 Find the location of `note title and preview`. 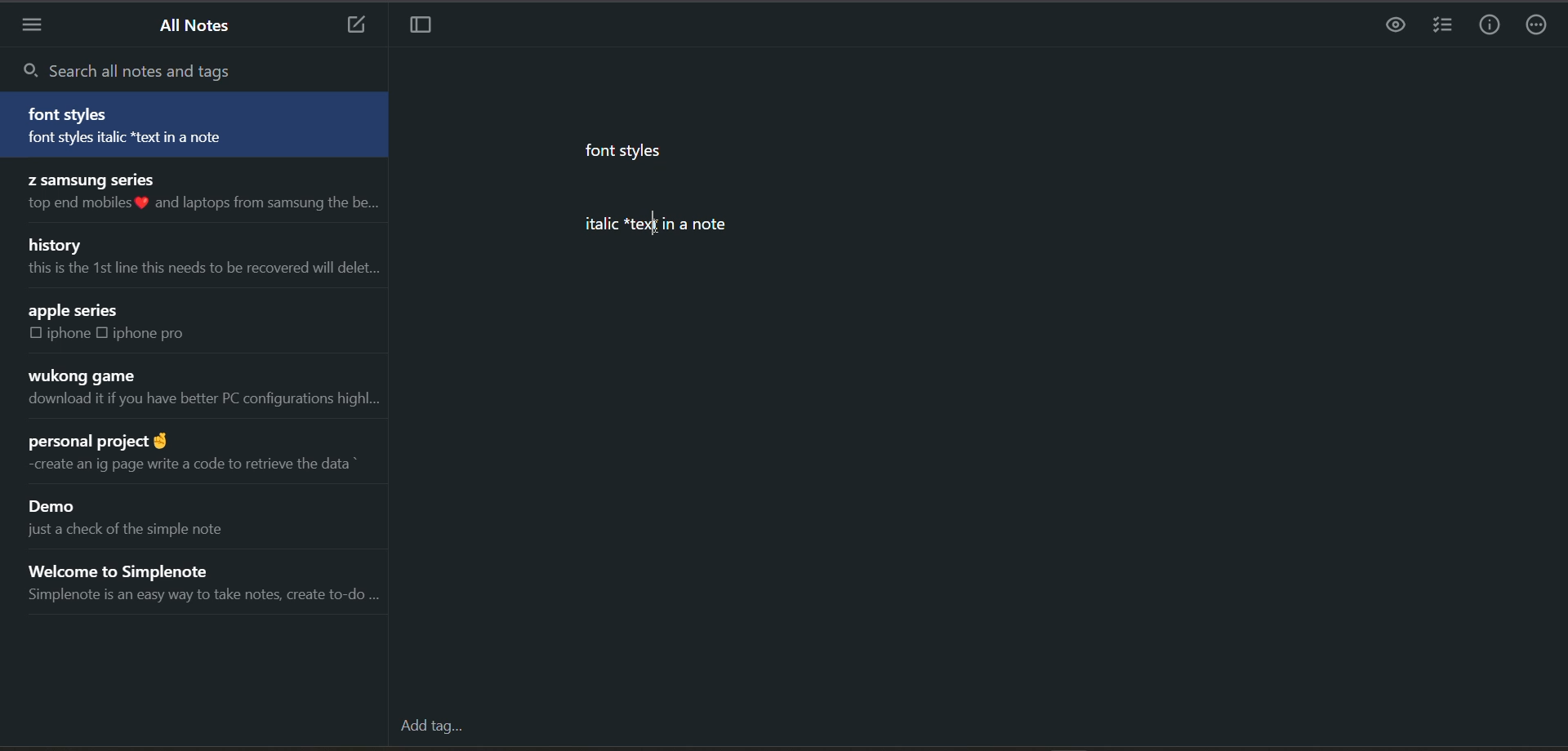

note title and preview is located at coordinates (201, 195).